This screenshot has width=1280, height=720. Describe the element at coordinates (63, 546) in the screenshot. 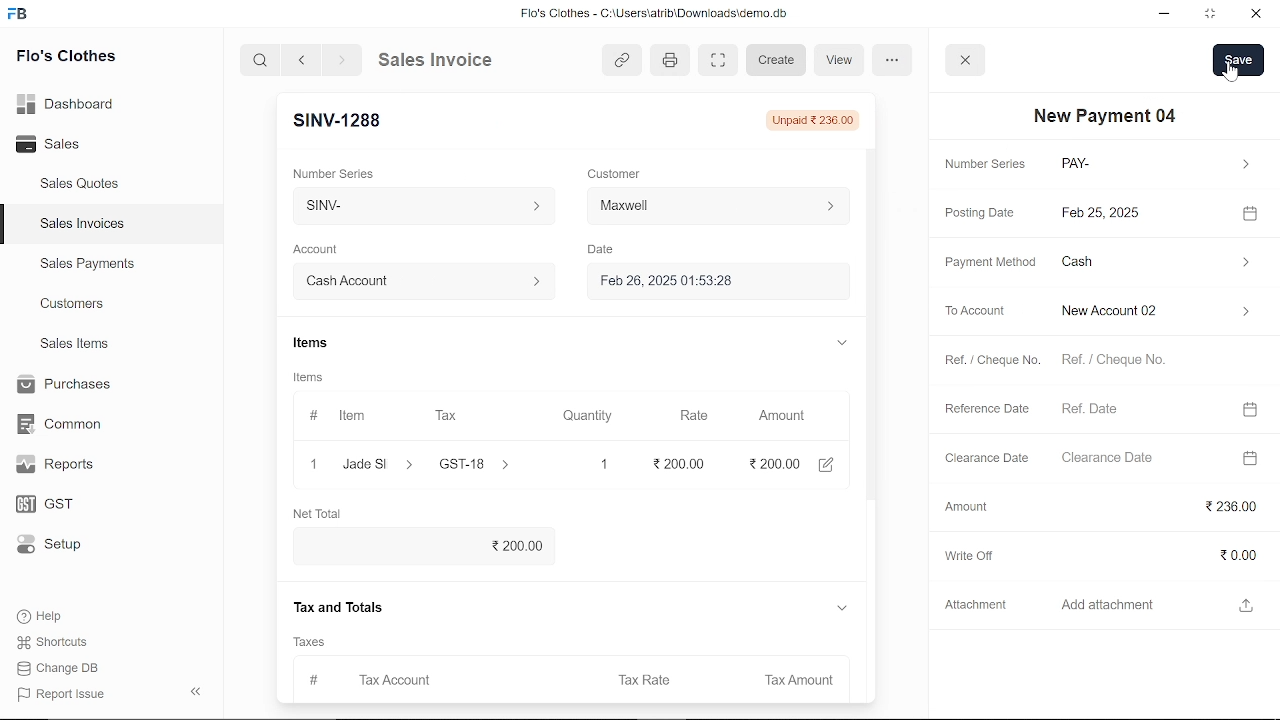

I see `Setup` at that location.